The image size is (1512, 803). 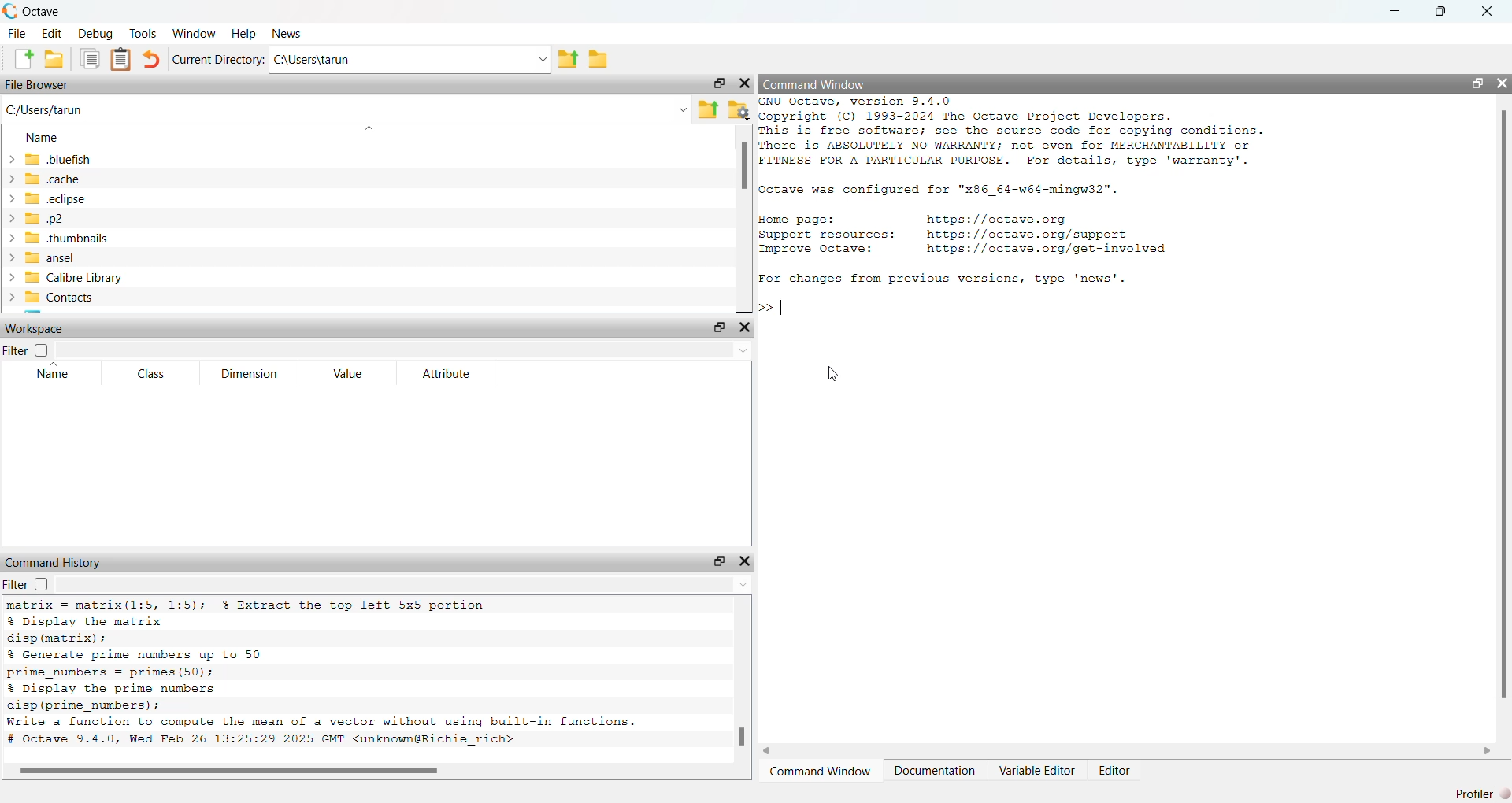 I want to click on file, so click(x=17, y=34).